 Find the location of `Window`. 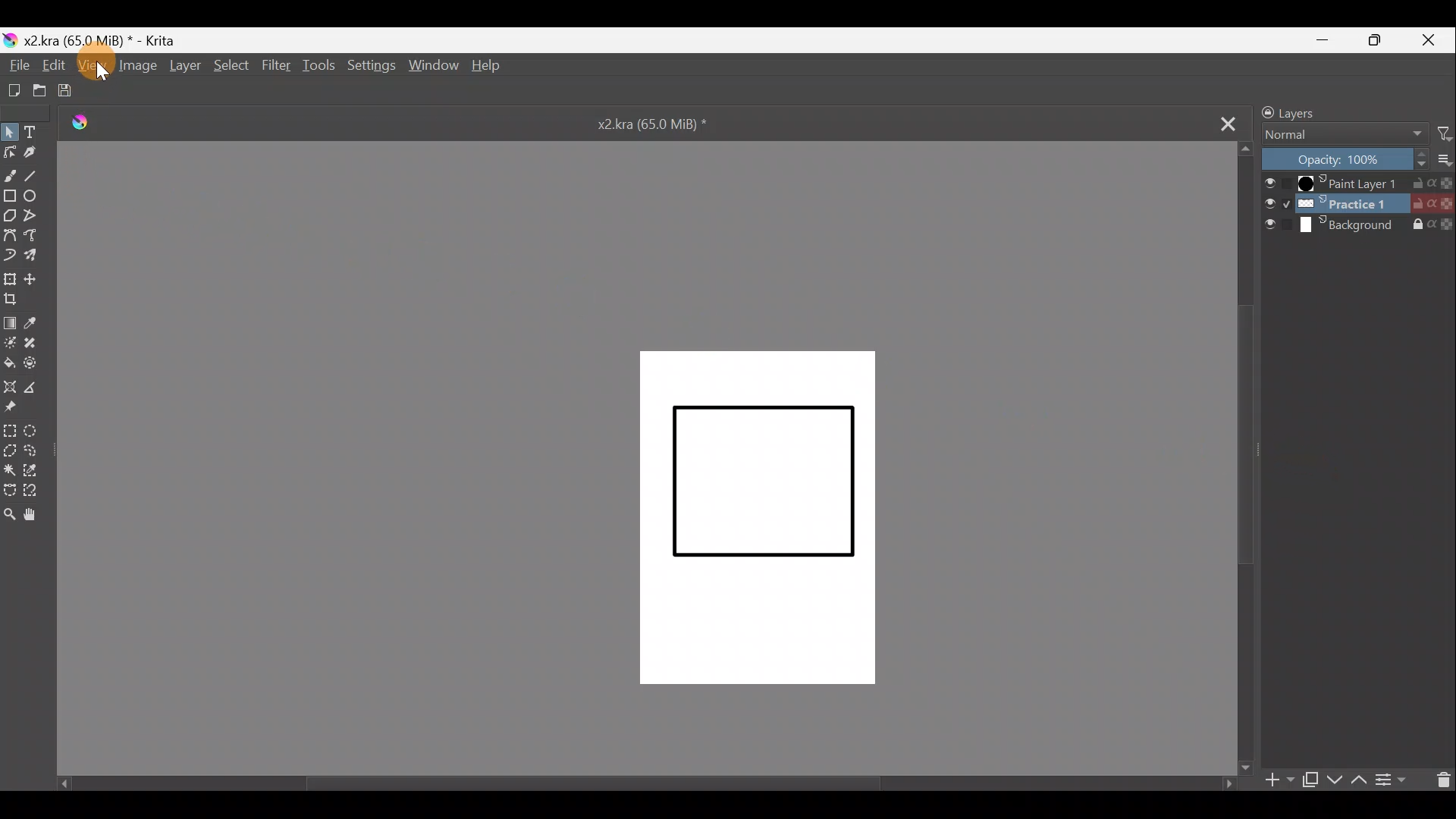

Window is located at coordinates (432, 64).